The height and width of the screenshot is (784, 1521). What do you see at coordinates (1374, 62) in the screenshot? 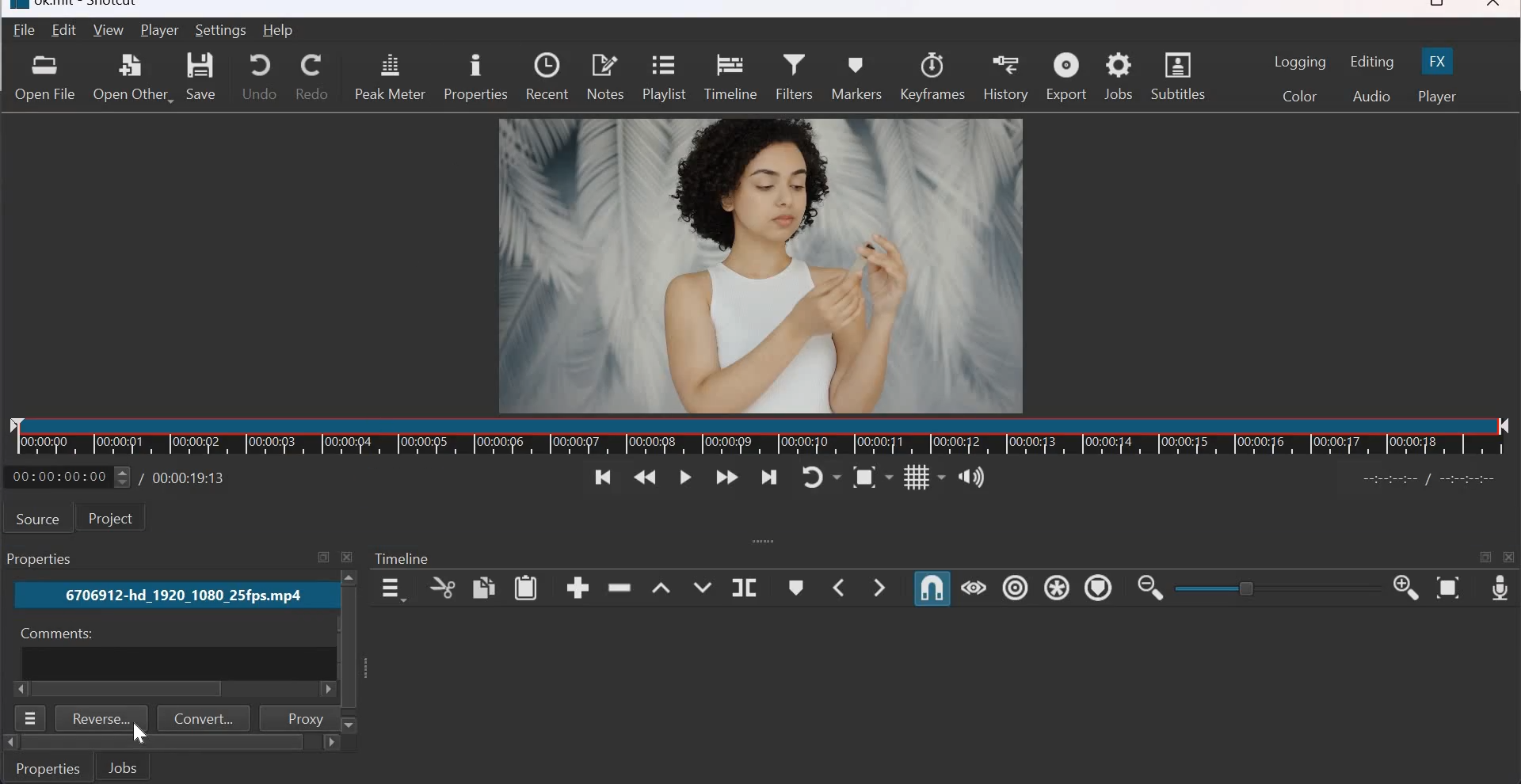
I see `Editing` at bounding box center [1374, 62].